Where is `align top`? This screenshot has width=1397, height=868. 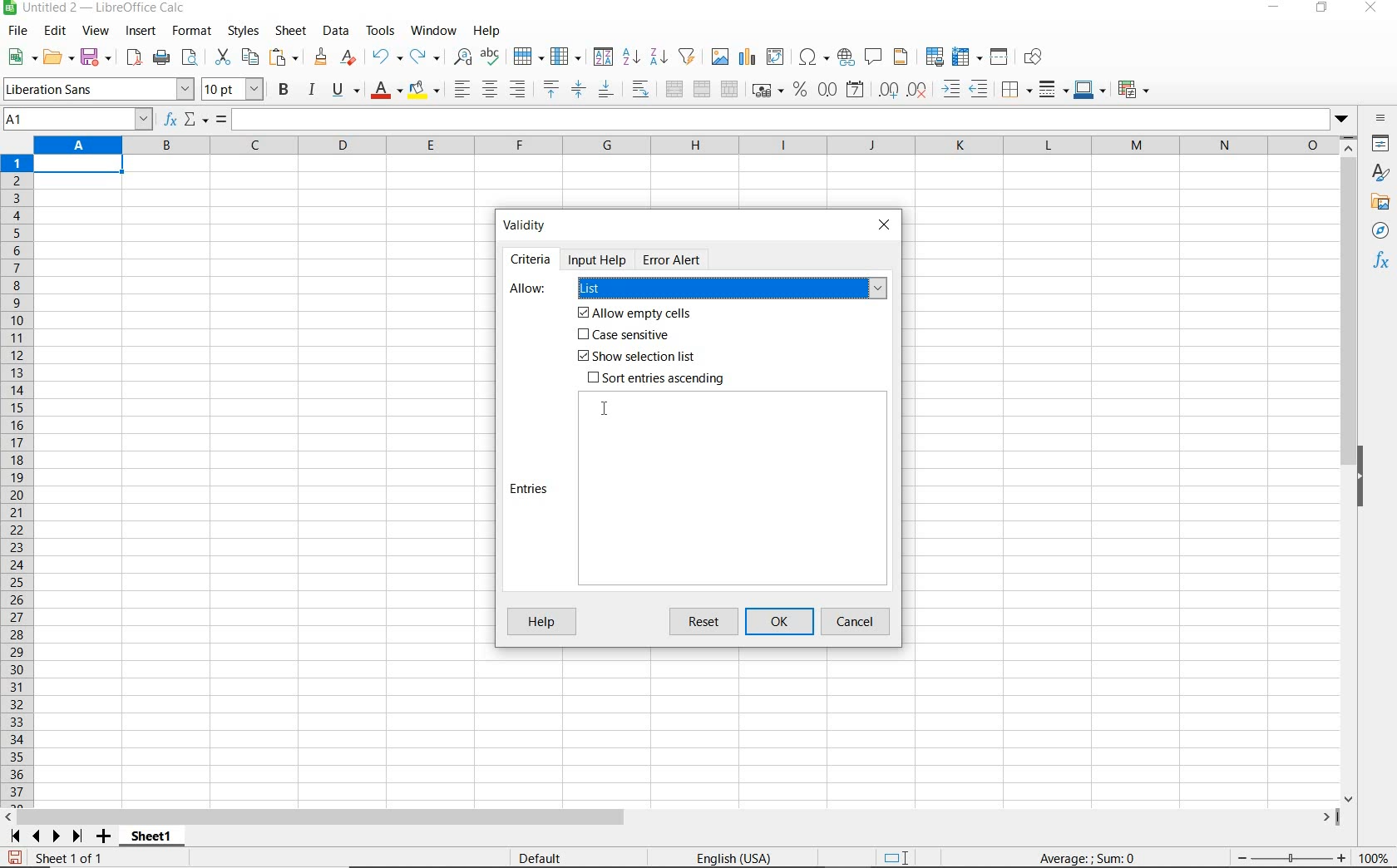
align top is located at coordinates (550, 90).